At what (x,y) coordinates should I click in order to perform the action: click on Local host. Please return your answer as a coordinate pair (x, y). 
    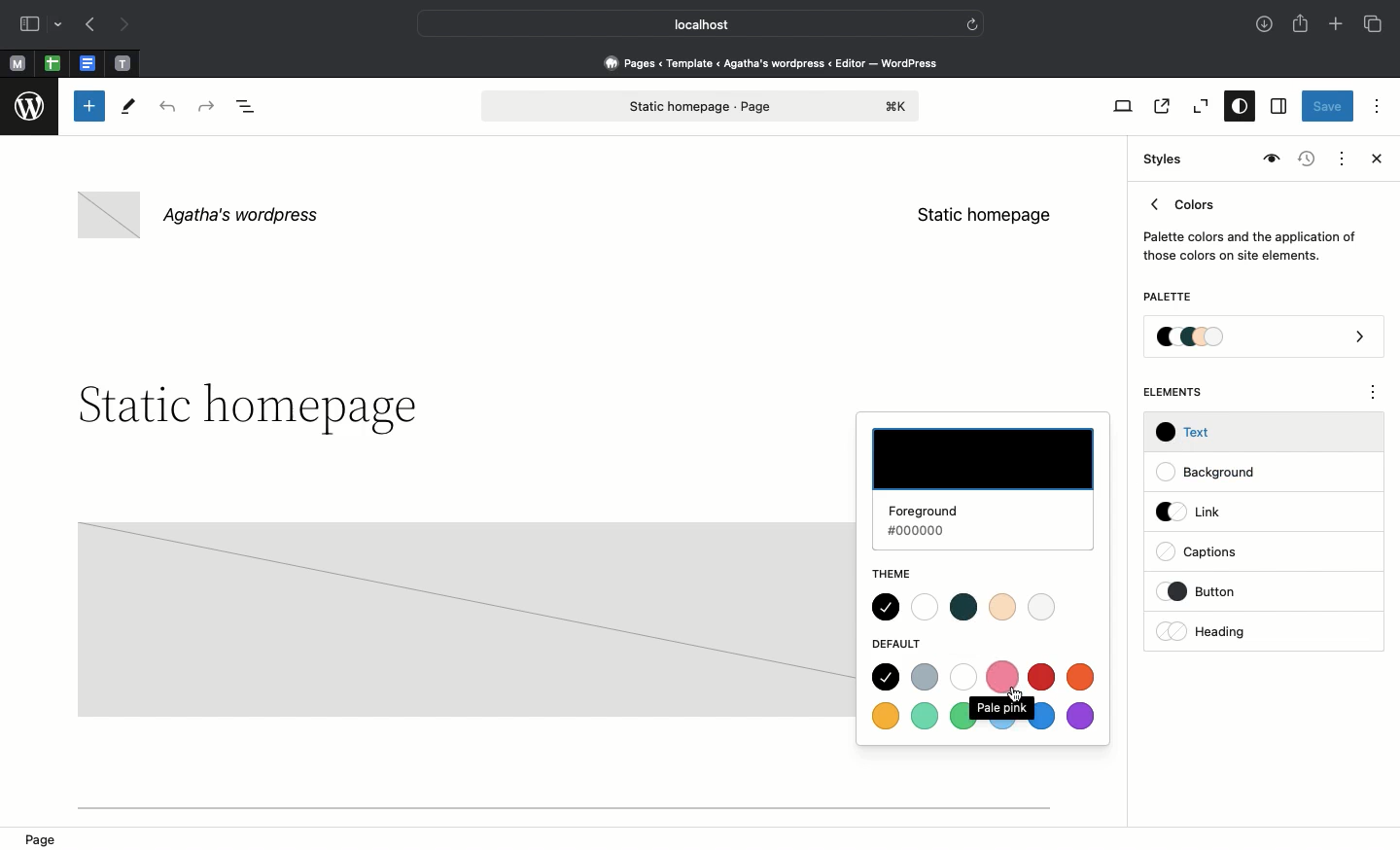
    Looking at the image, I should click on (686, 23).